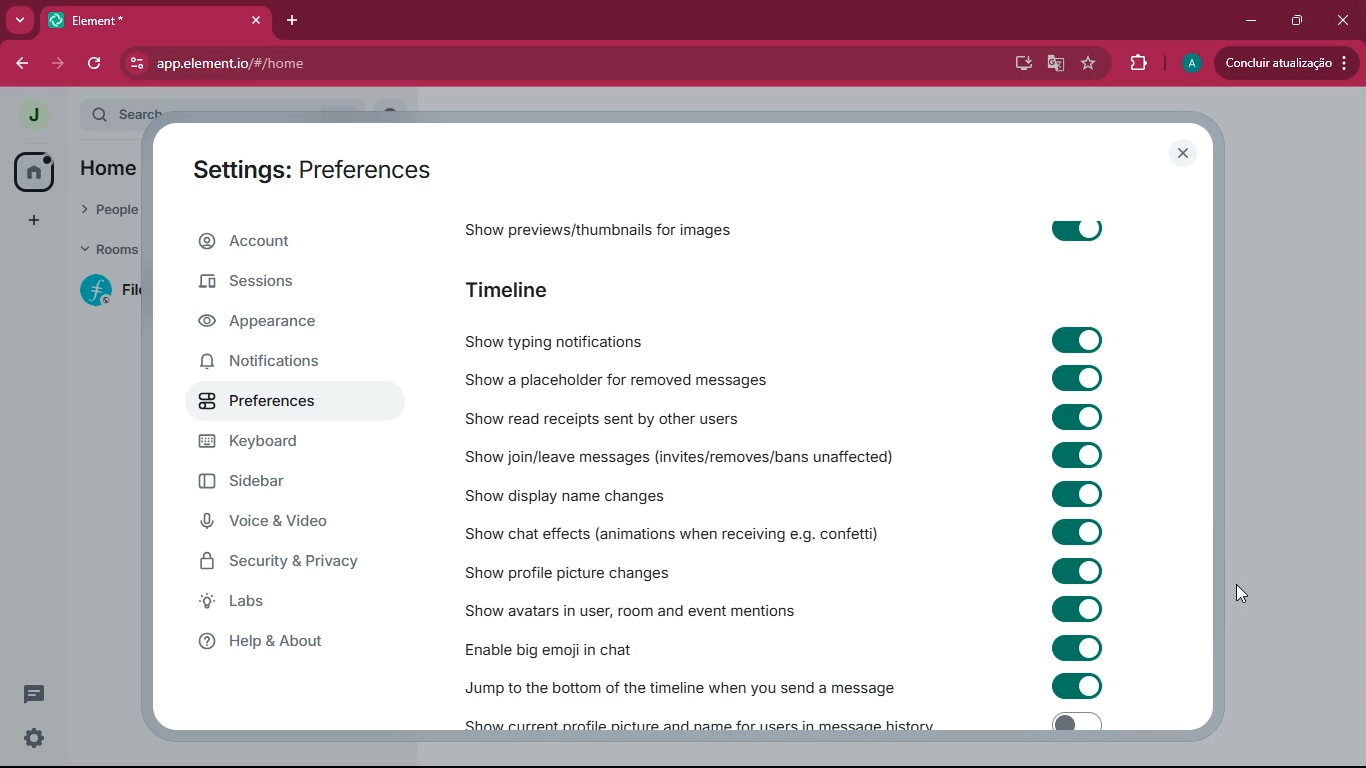  What do you see at coordinates (254, 20) in the screenshot?
I see `close` at bounding box center [254, 20].